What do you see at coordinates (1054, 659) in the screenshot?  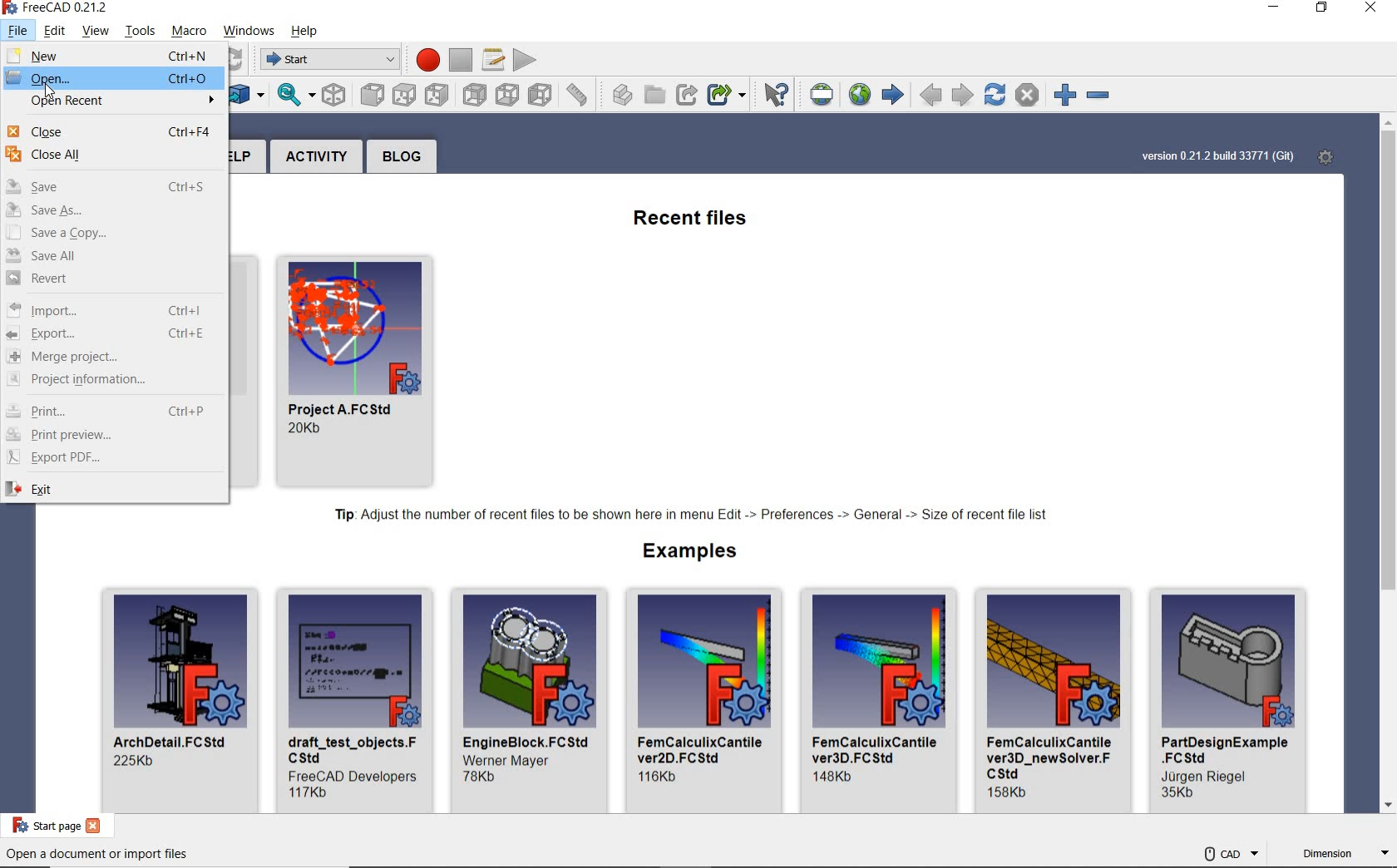 I see `image` at bounding box center [1054, 659].